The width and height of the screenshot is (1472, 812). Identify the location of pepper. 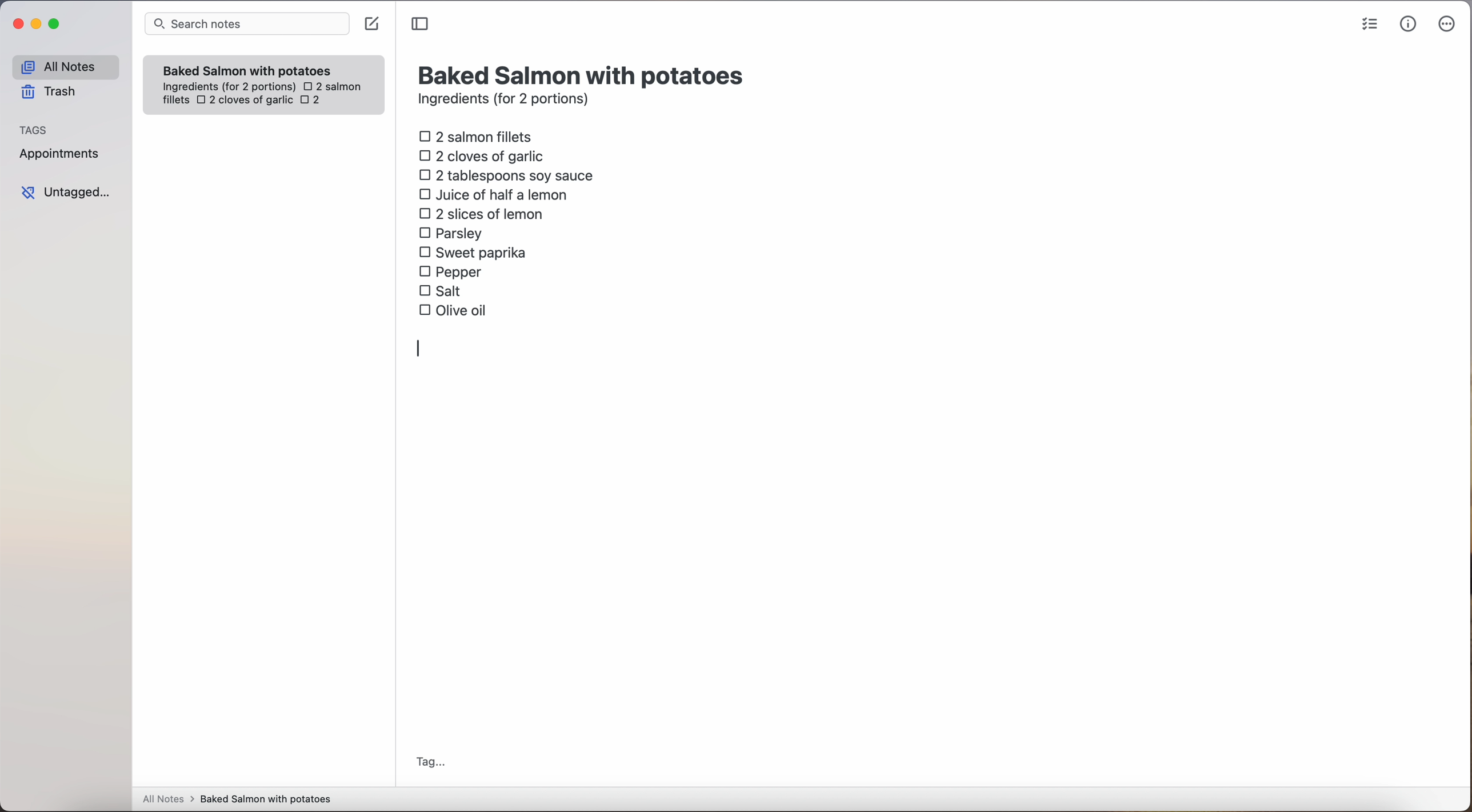
(453, 271).